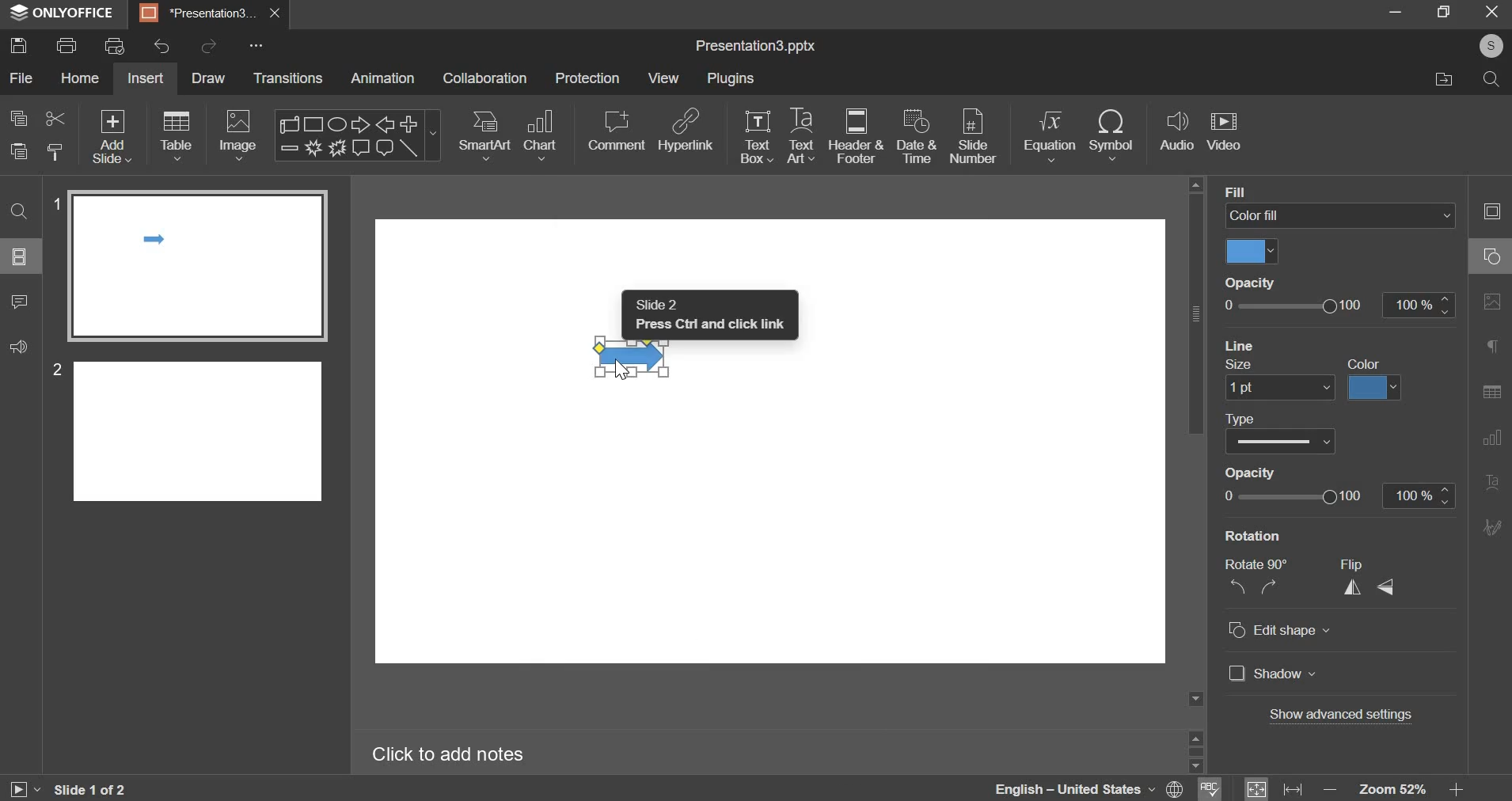 The height and width of the screenshot is (801, 1512). Describe the element at coordinates (1273, 673) in the screenshot. I see `shadow` at that location.